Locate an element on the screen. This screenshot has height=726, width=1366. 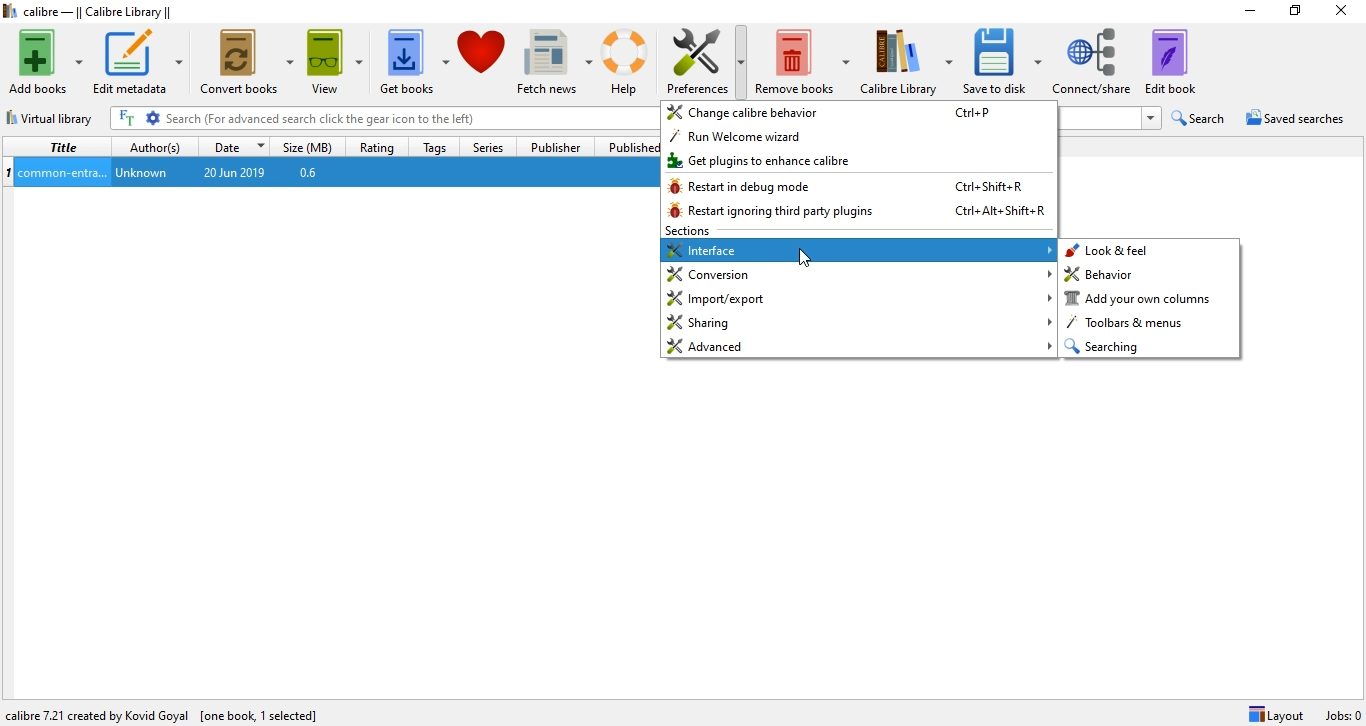
Close is located at coordinates (1345, 13).